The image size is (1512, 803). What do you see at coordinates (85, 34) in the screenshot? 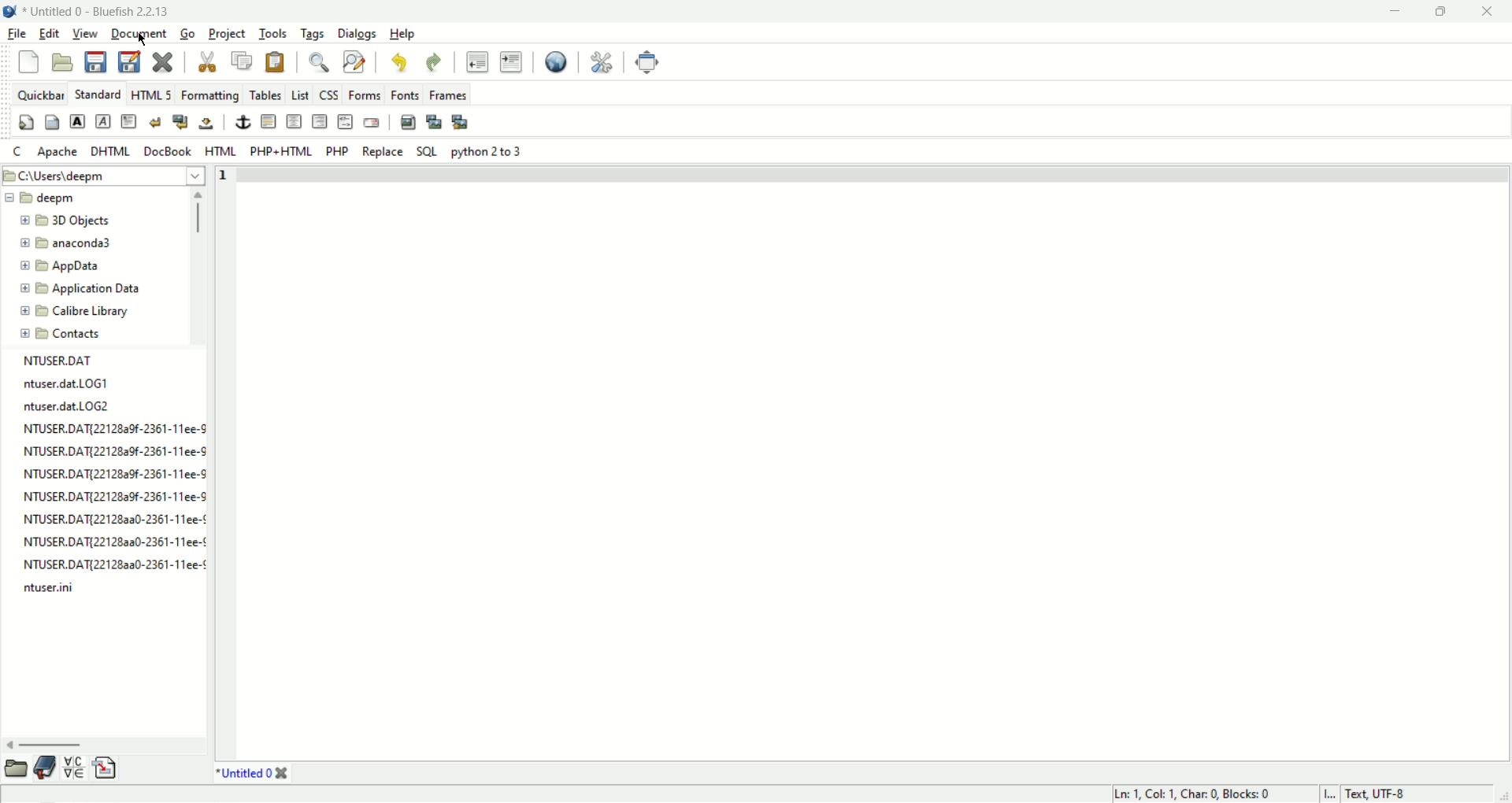
I see `view` at bounding box center [85, 34].